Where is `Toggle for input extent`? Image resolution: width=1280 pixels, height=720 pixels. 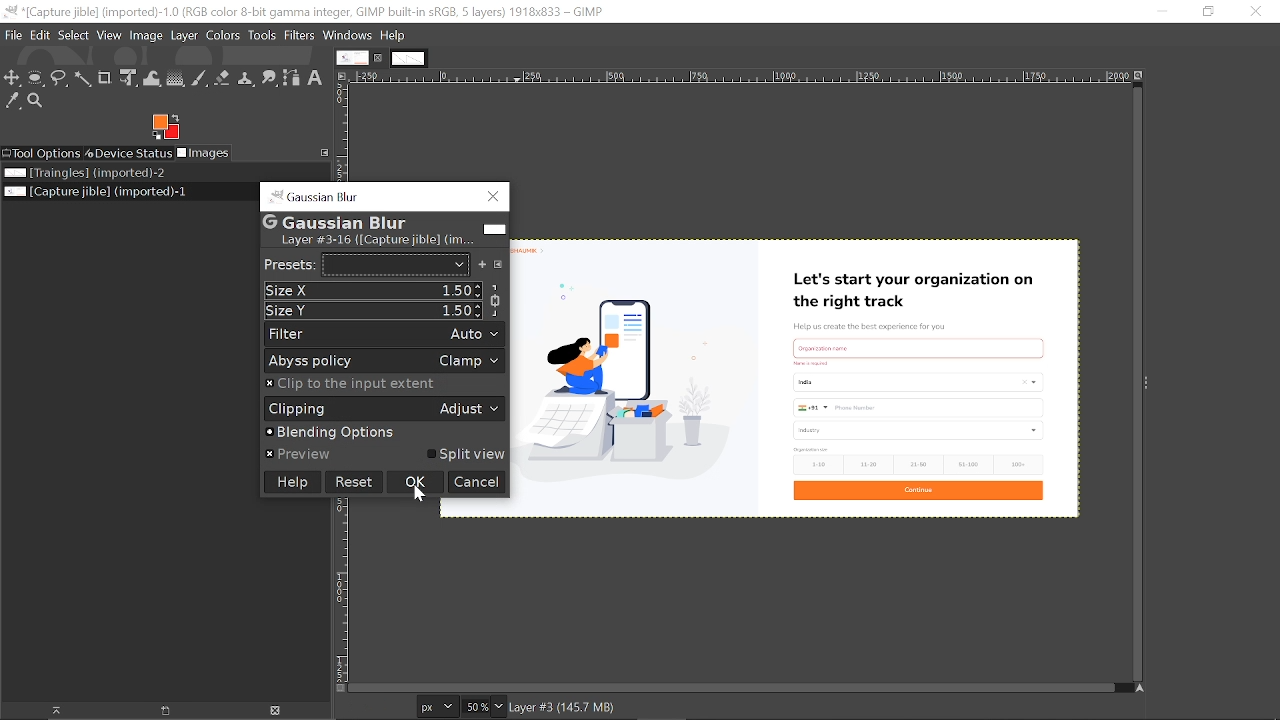 Toggle for input extent is located at coordinates (352, 384).